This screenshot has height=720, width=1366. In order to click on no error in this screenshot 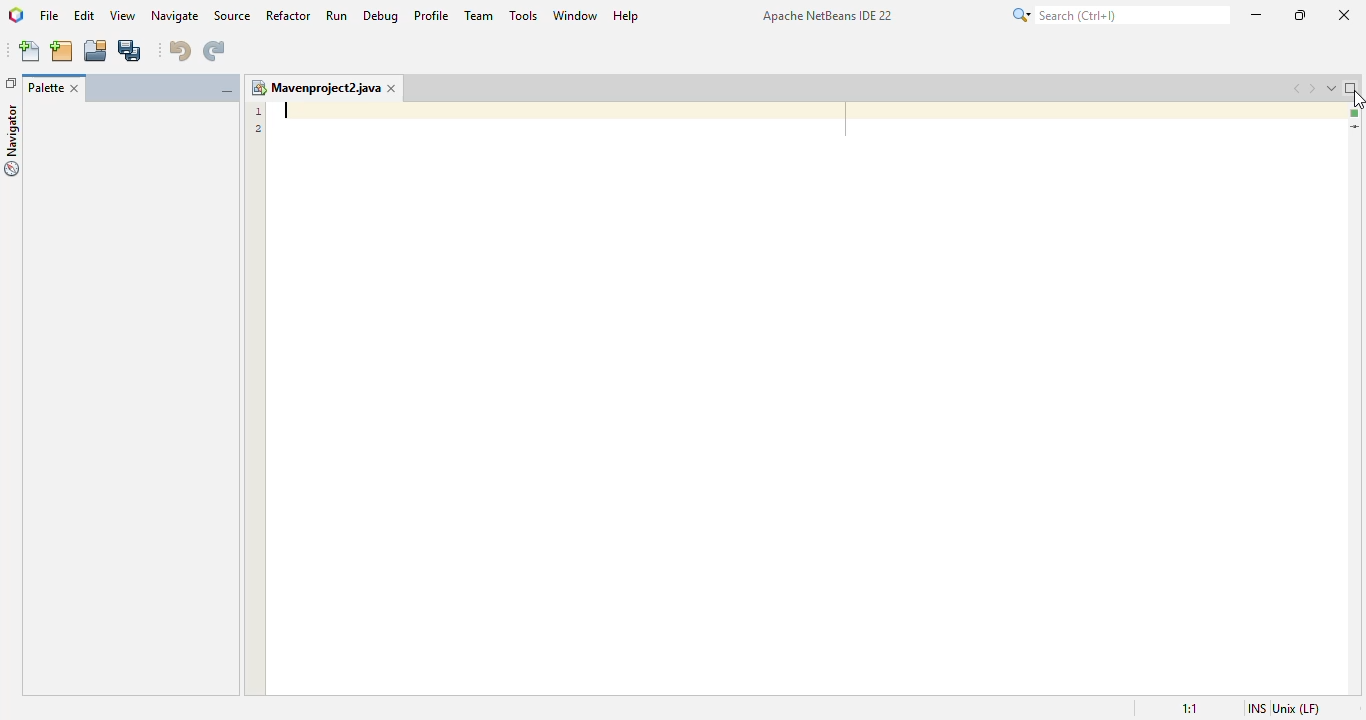, I will do `click(1355, 113)`.